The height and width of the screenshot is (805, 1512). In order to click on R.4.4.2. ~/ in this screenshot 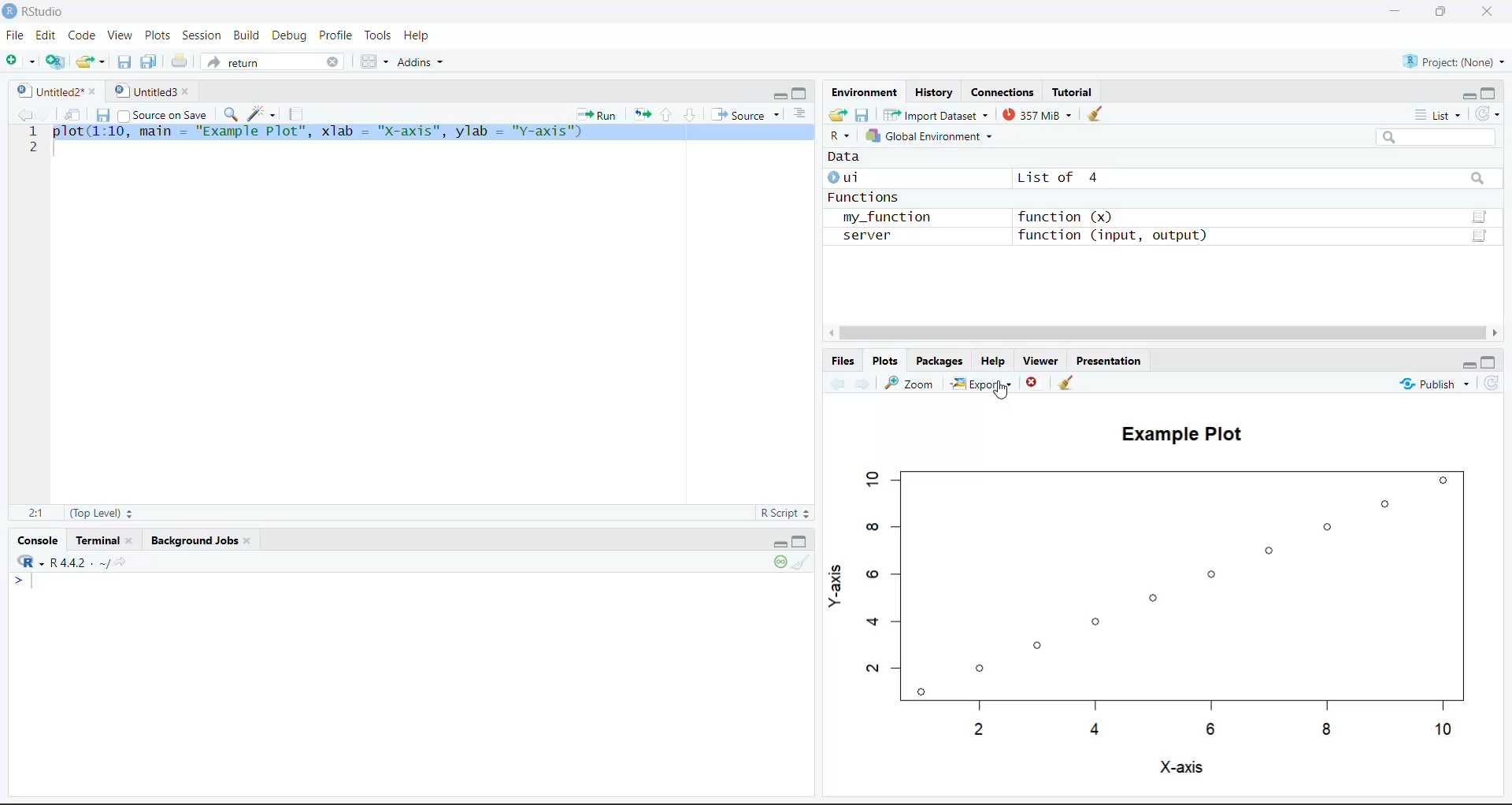, I will do `click(74, 562)`.